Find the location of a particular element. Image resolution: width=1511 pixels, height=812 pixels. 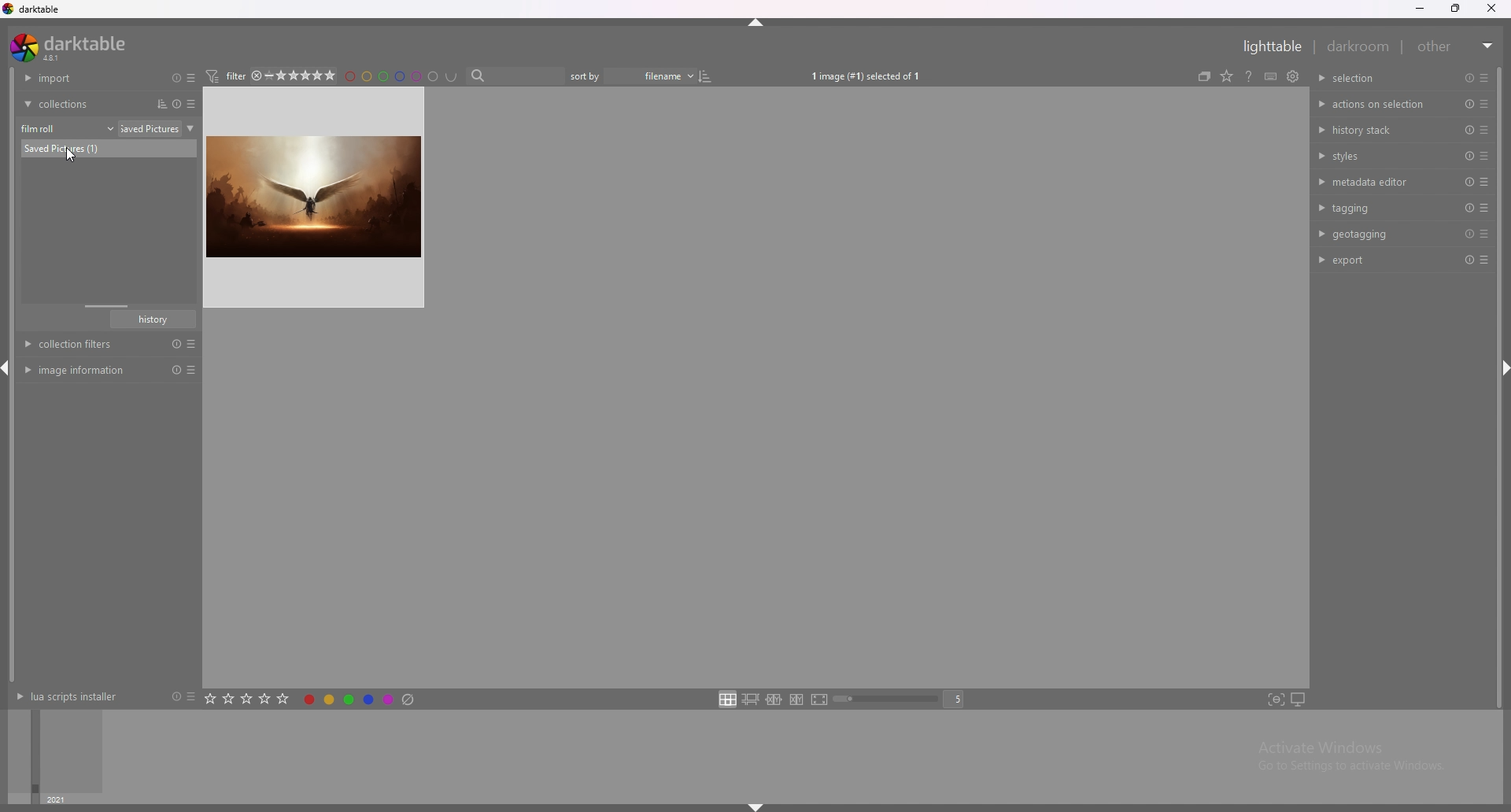

4star is located at coordinates (263, 76).